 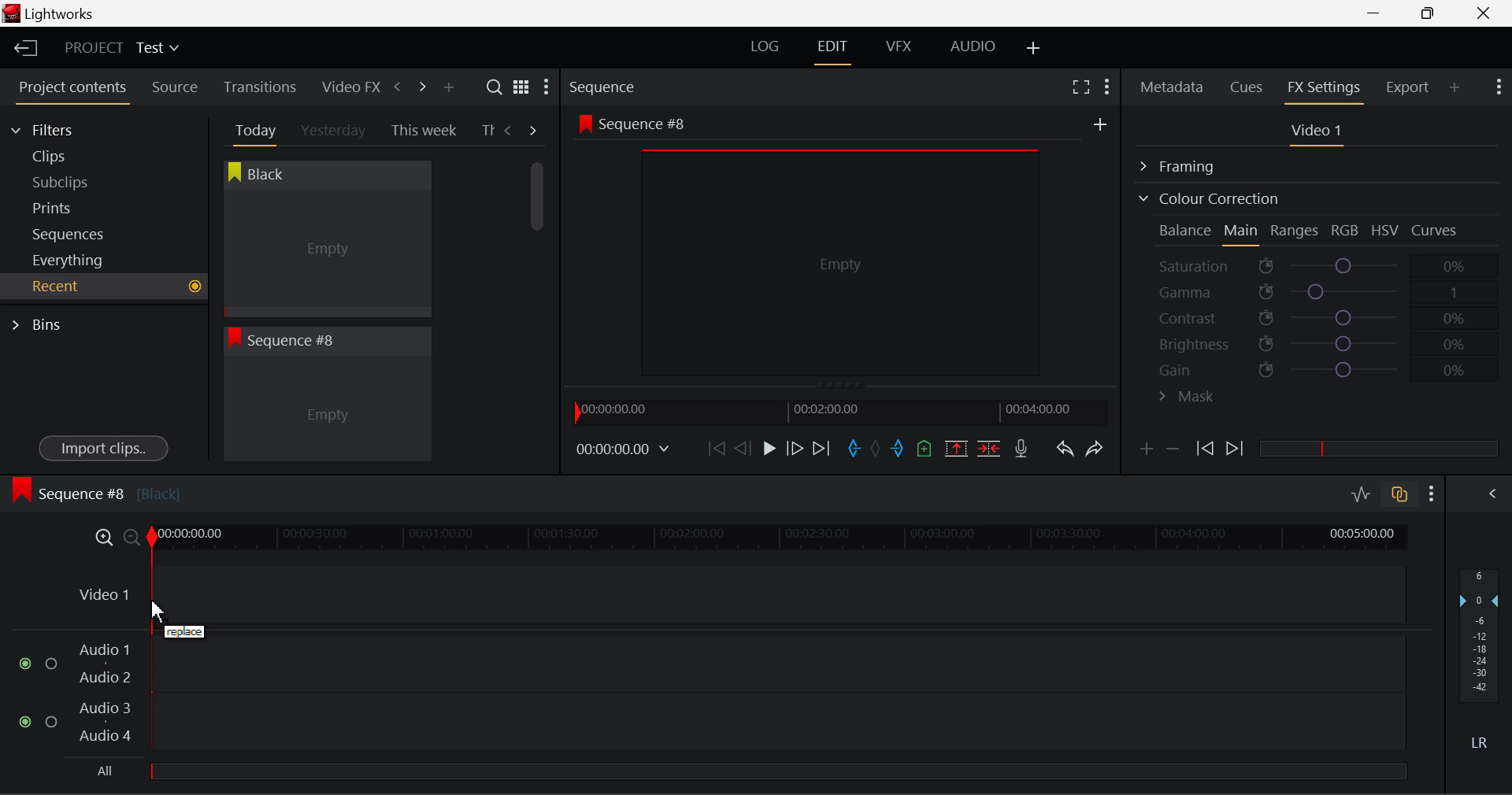 I want to click on Decibel Gain, so click(x=1478, y=663).